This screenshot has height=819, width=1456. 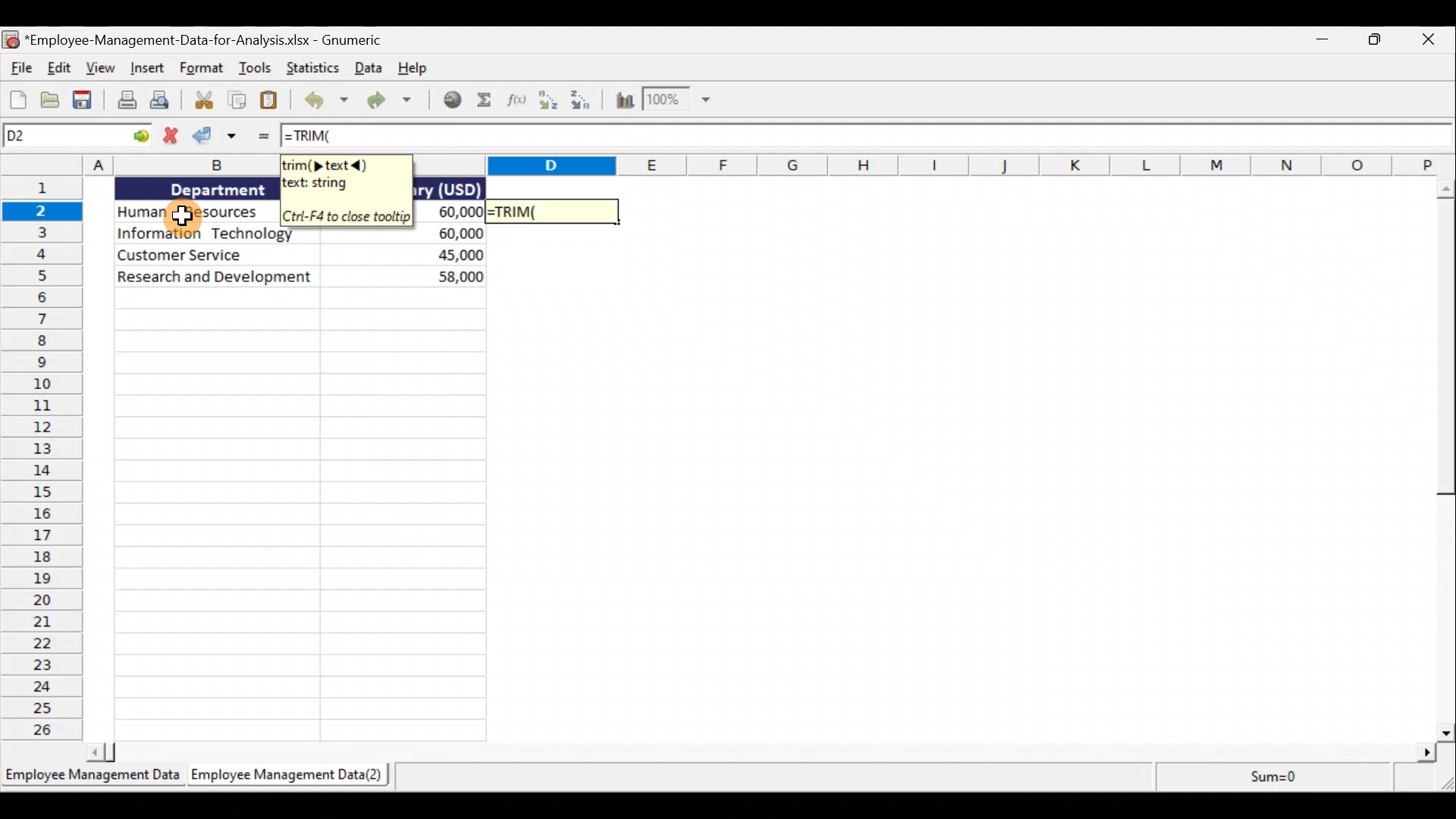 I want to click on Data, so click(x=189, y=232).